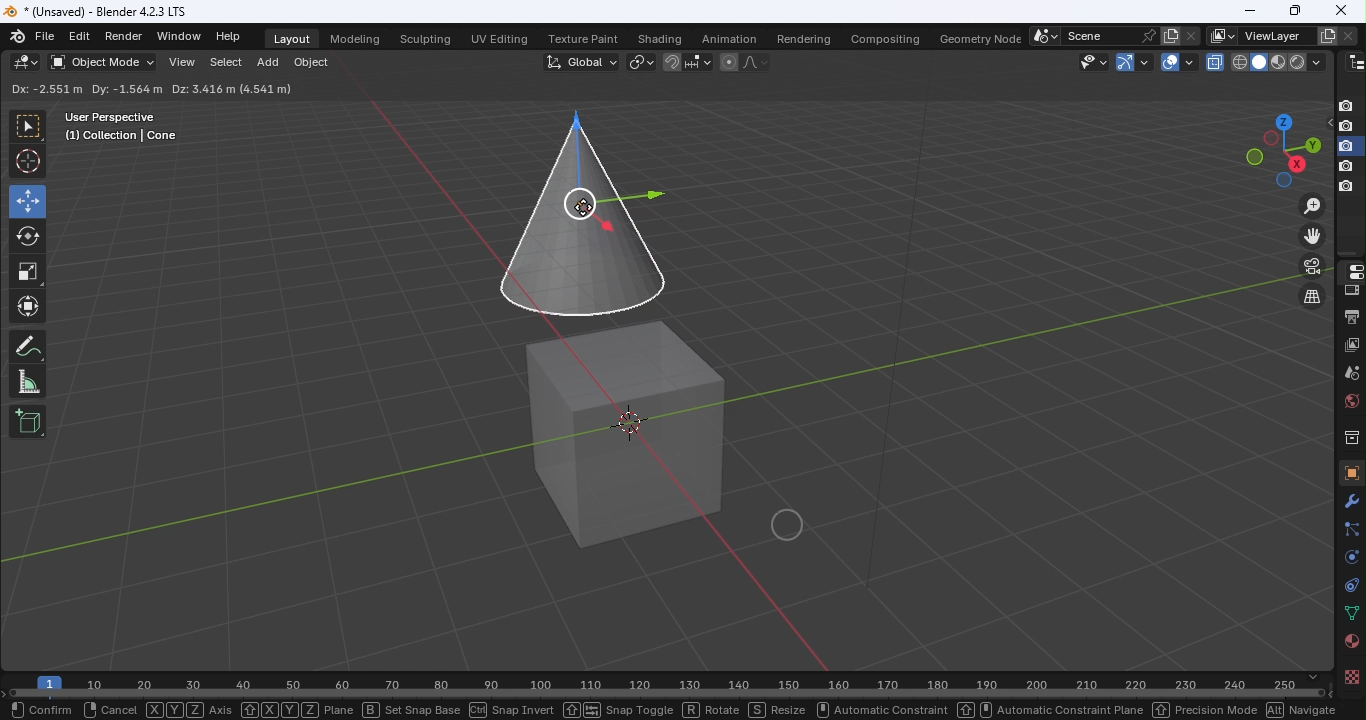 This screenshot has width=1366, height=720. I want to click on Document name, so click(105, 10).